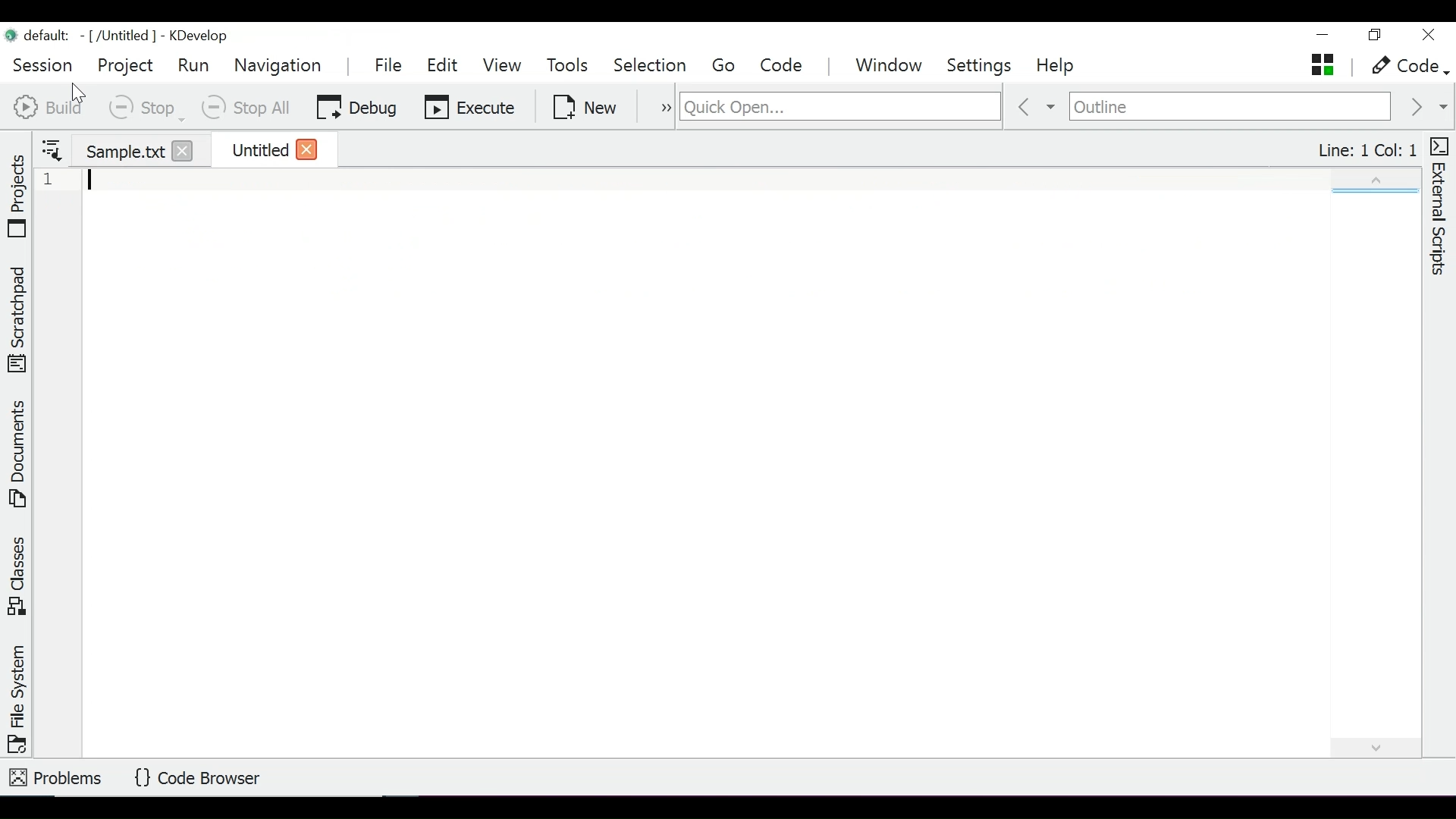 The height and width of the screenshot is (819, 1456). I want to click on Code, so click(780, 66).